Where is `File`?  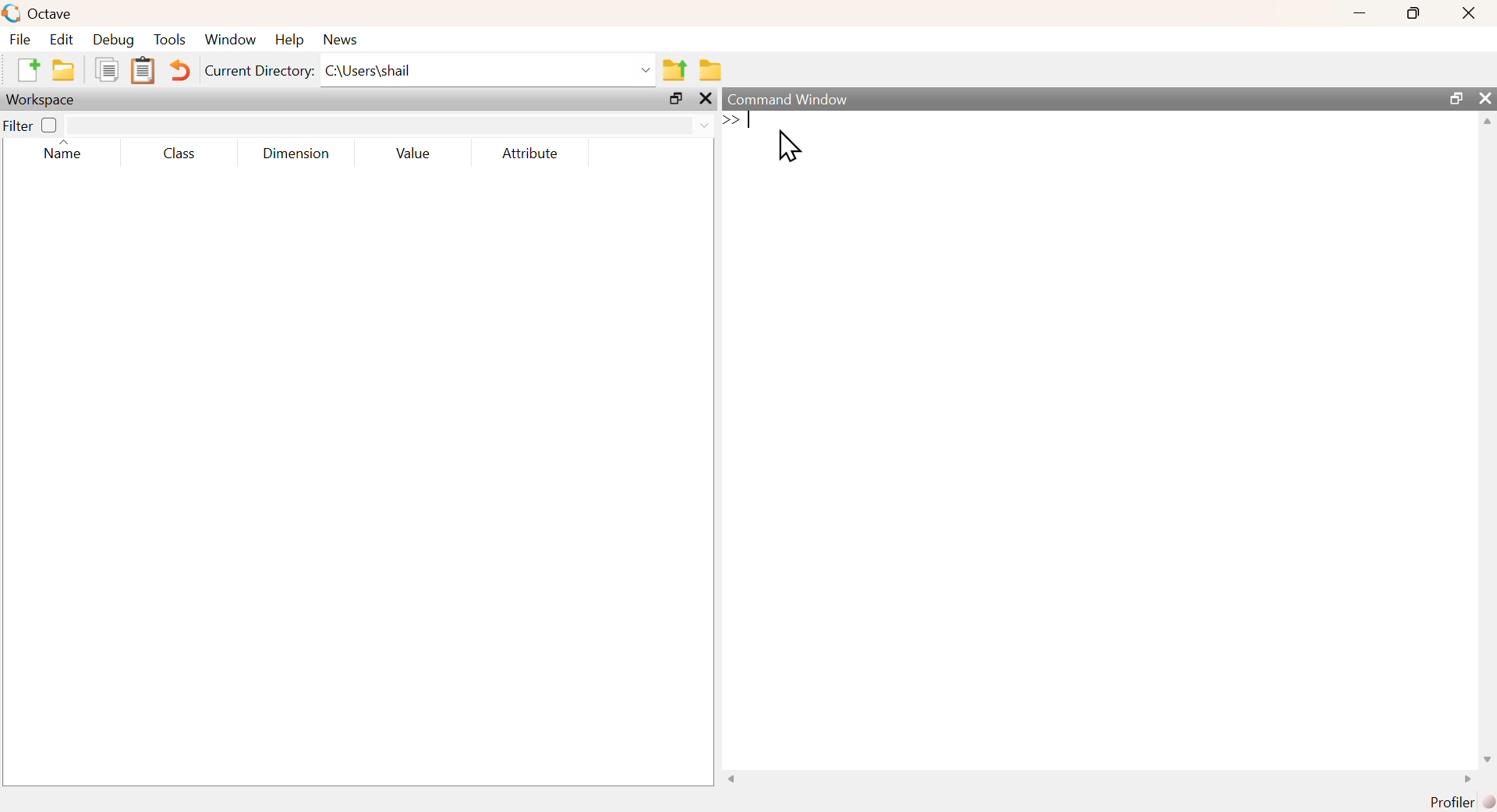 File is located at coordinates (19, 39).